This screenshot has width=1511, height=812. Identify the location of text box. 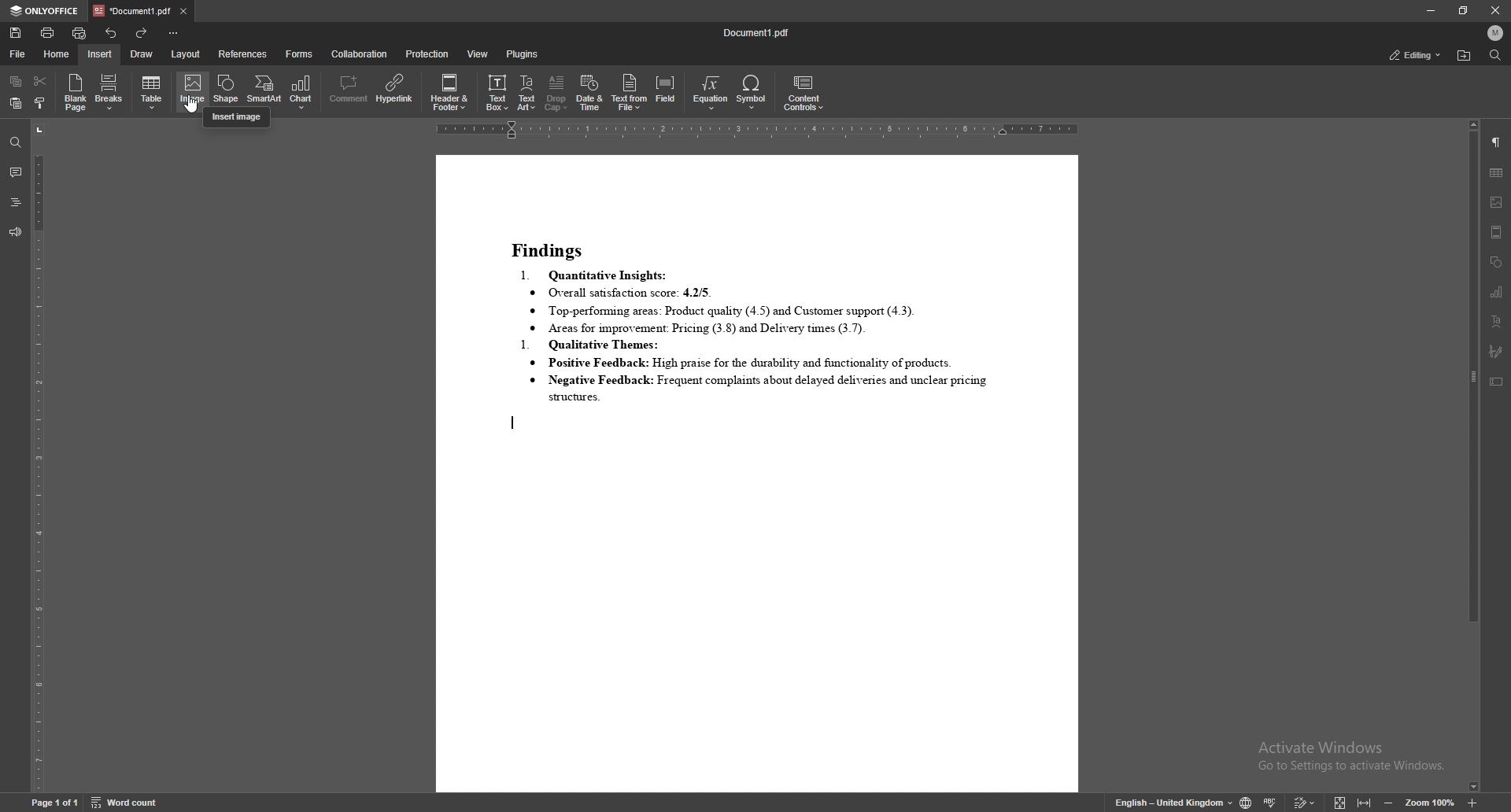
(497, 93).